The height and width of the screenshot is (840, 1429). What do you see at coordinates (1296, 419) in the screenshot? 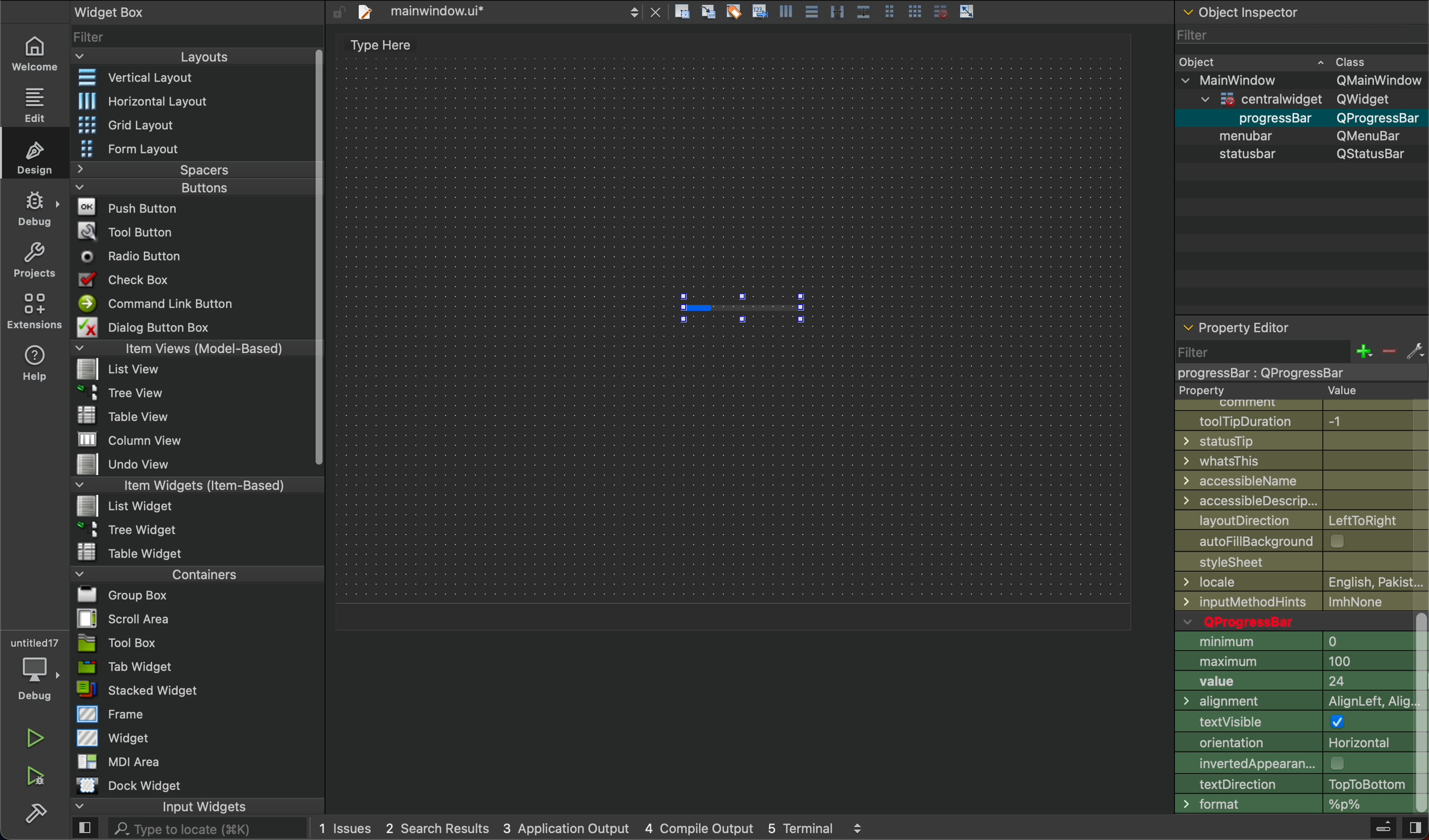
I see `tooltip duration` at bounding box center [1296, 419].